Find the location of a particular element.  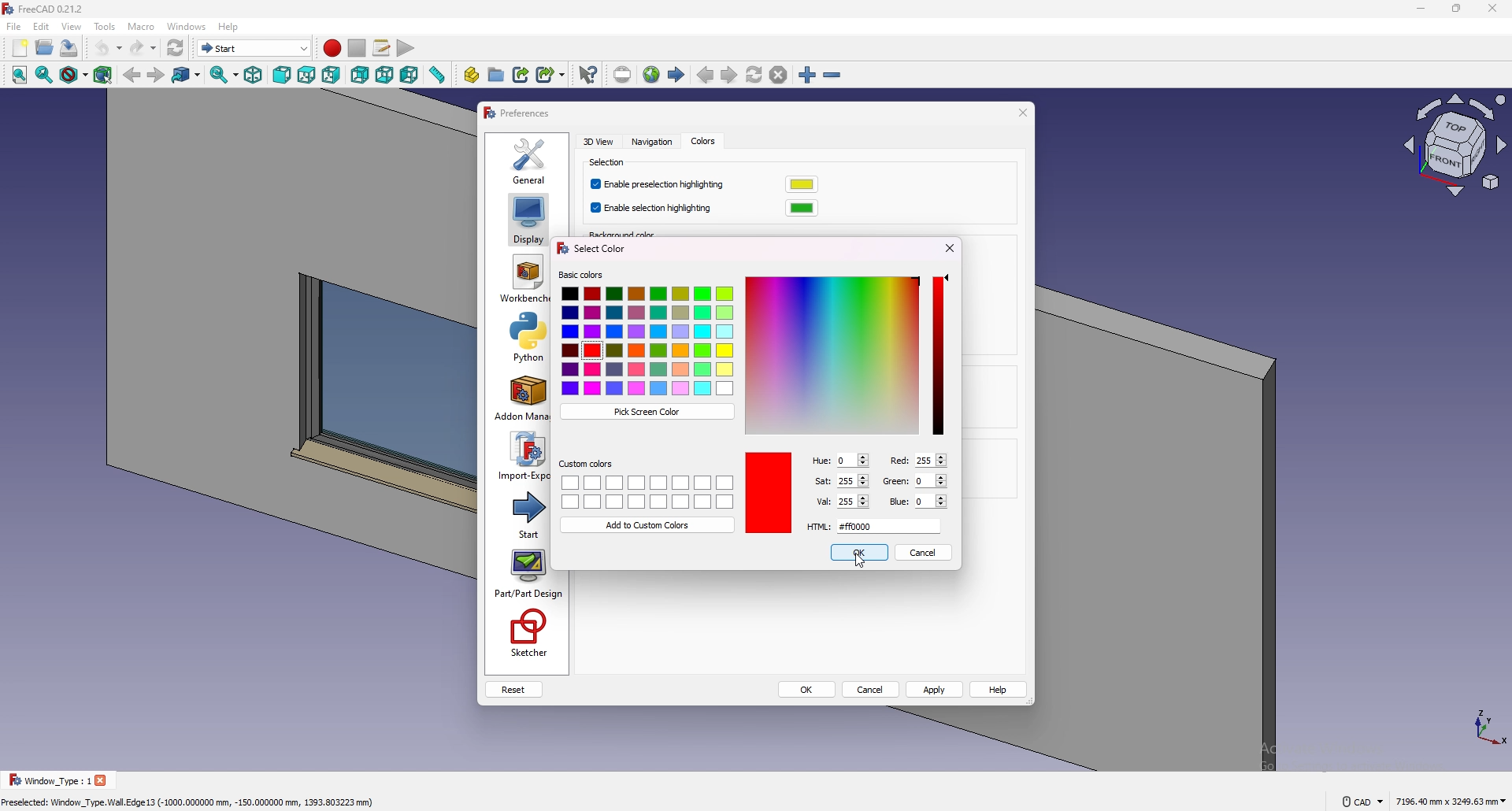

Pick Screen Color is located at coordinates (647, 412).